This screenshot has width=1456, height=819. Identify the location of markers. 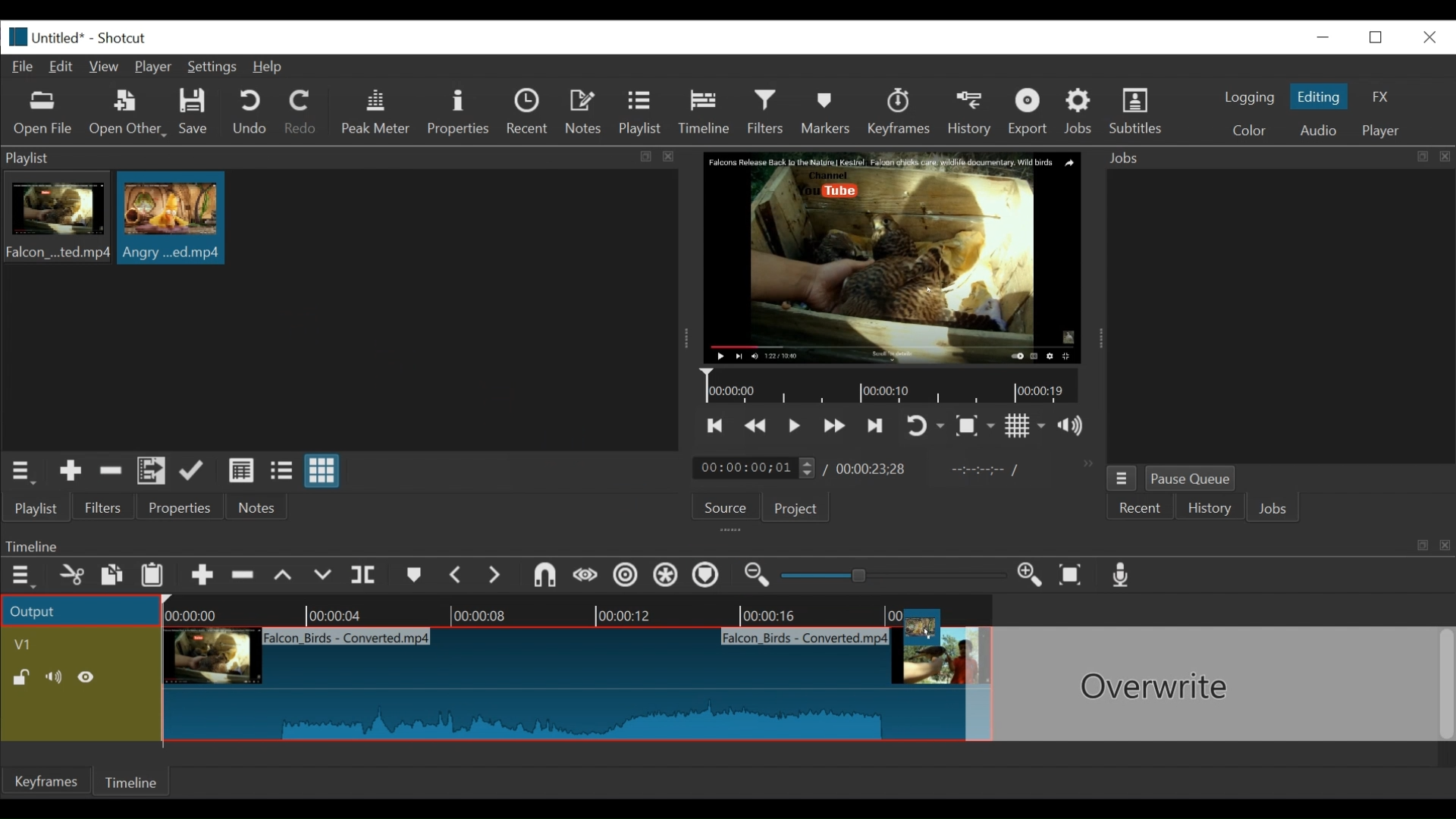
(413, 579).